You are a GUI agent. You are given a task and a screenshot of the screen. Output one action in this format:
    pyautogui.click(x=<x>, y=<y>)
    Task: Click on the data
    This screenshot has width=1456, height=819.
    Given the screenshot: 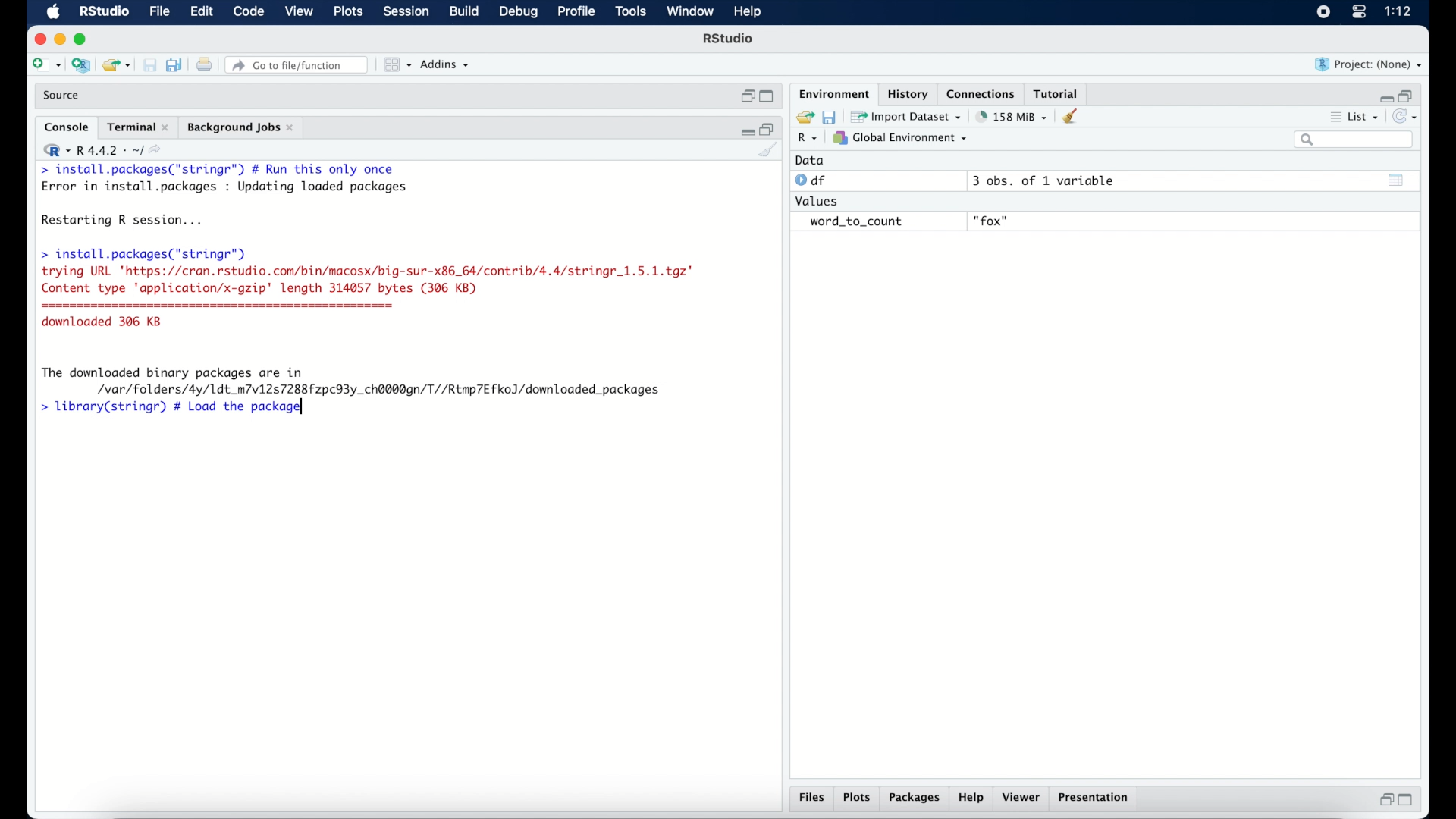 What is the action you would take?
    pyautogui.click(x=810, y=160)
    